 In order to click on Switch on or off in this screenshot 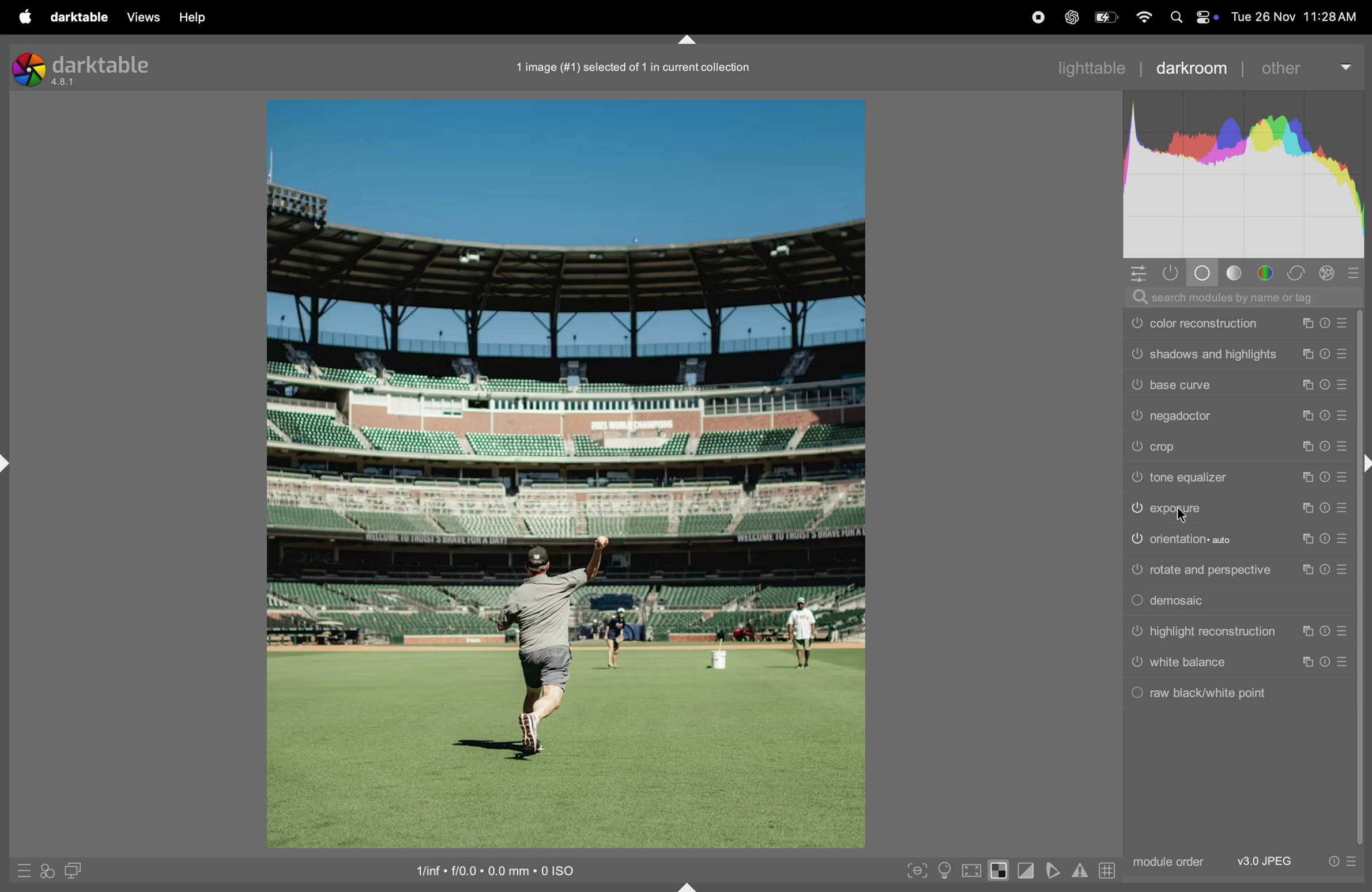, I will do `click(1136, 540)`.